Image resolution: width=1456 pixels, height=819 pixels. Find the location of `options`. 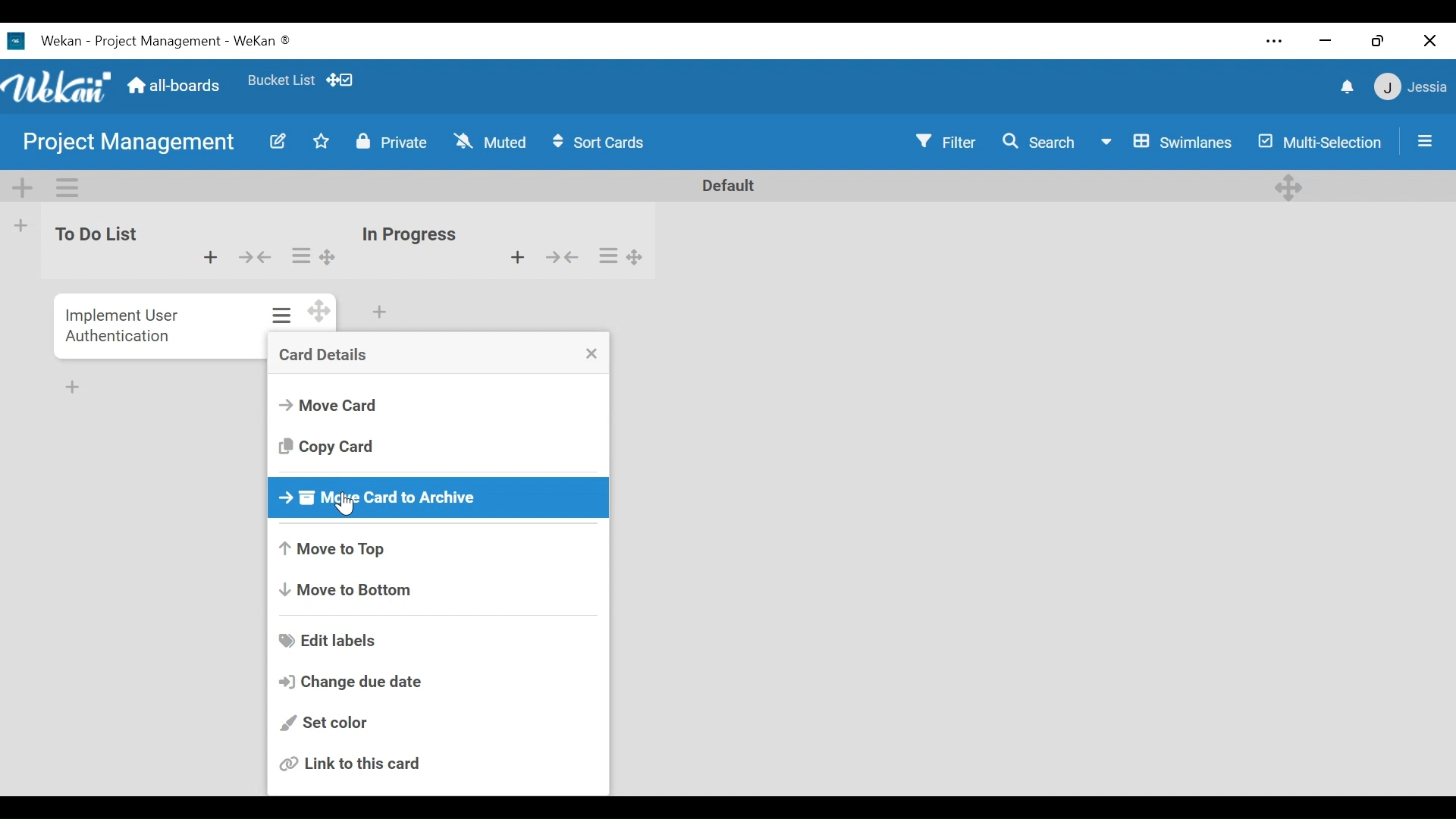

options is located at coordinates (311, 253).